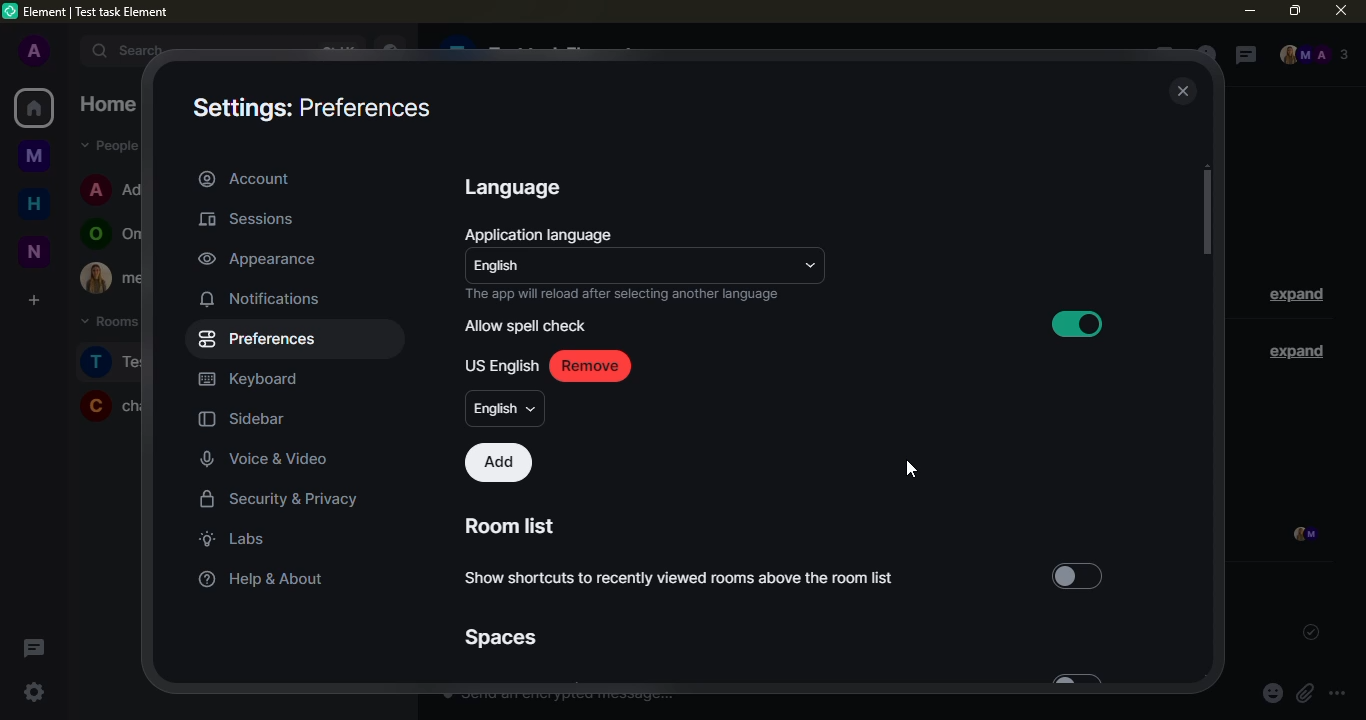 This screenshot has height=720, width=1366. I want to click on element| test task element, so click(104, 13).